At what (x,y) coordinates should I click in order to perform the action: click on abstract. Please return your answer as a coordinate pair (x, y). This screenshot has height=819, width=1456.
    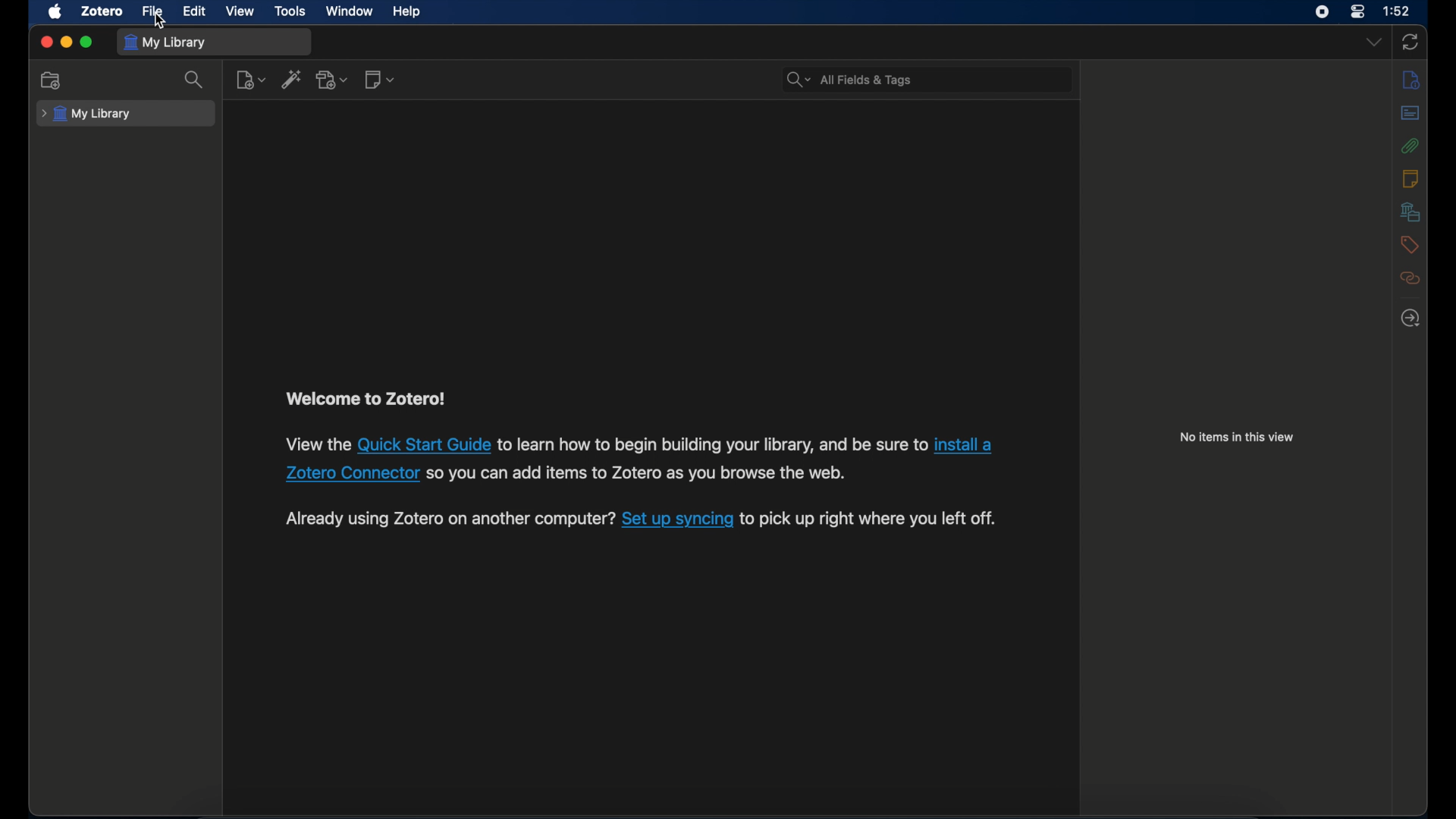
    Looking at the image, I should click on (1410, 112).